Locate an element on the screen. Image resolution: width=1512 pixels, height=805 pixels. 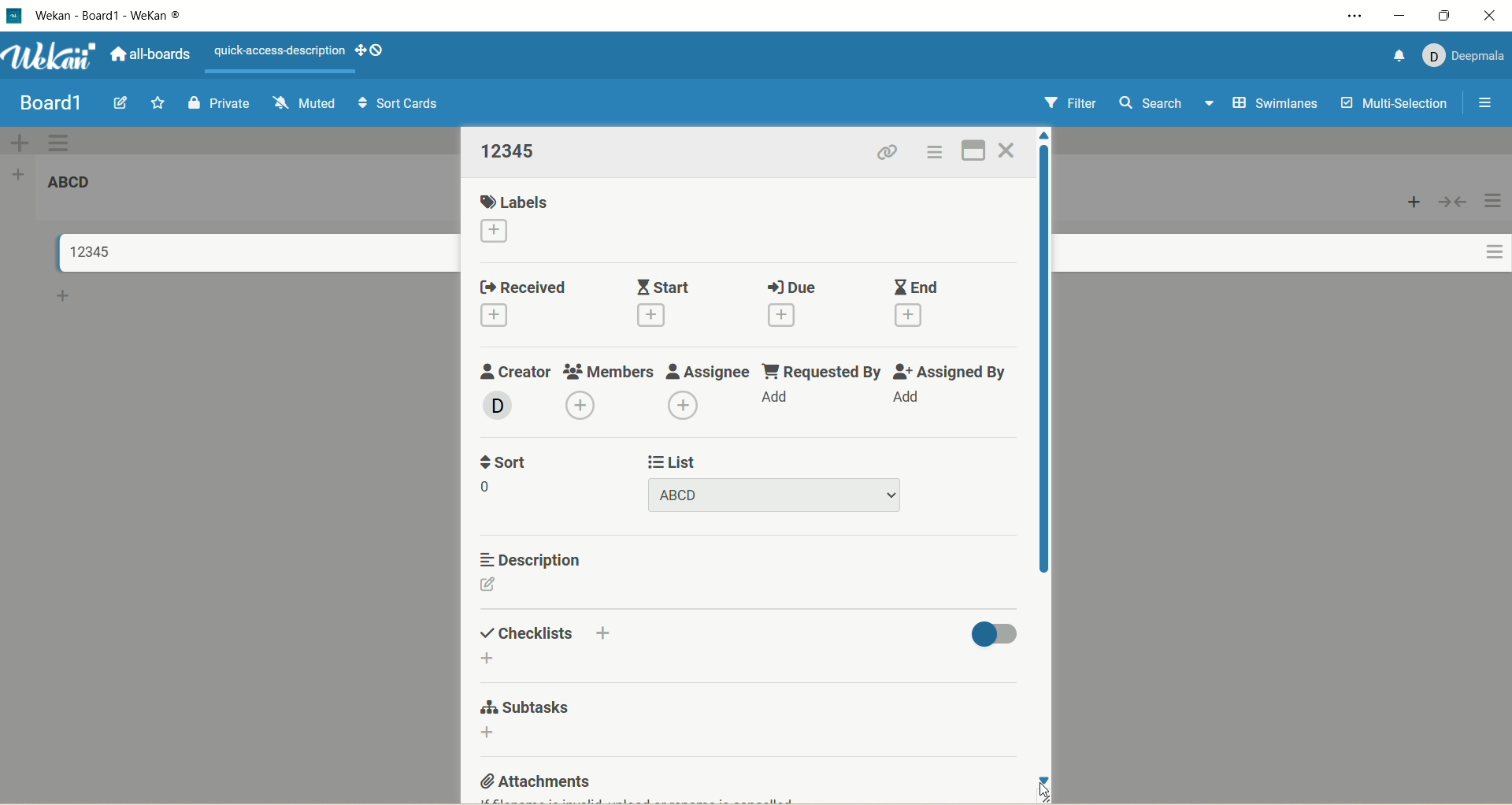
settings and more is located at coordinates (1359, 17).